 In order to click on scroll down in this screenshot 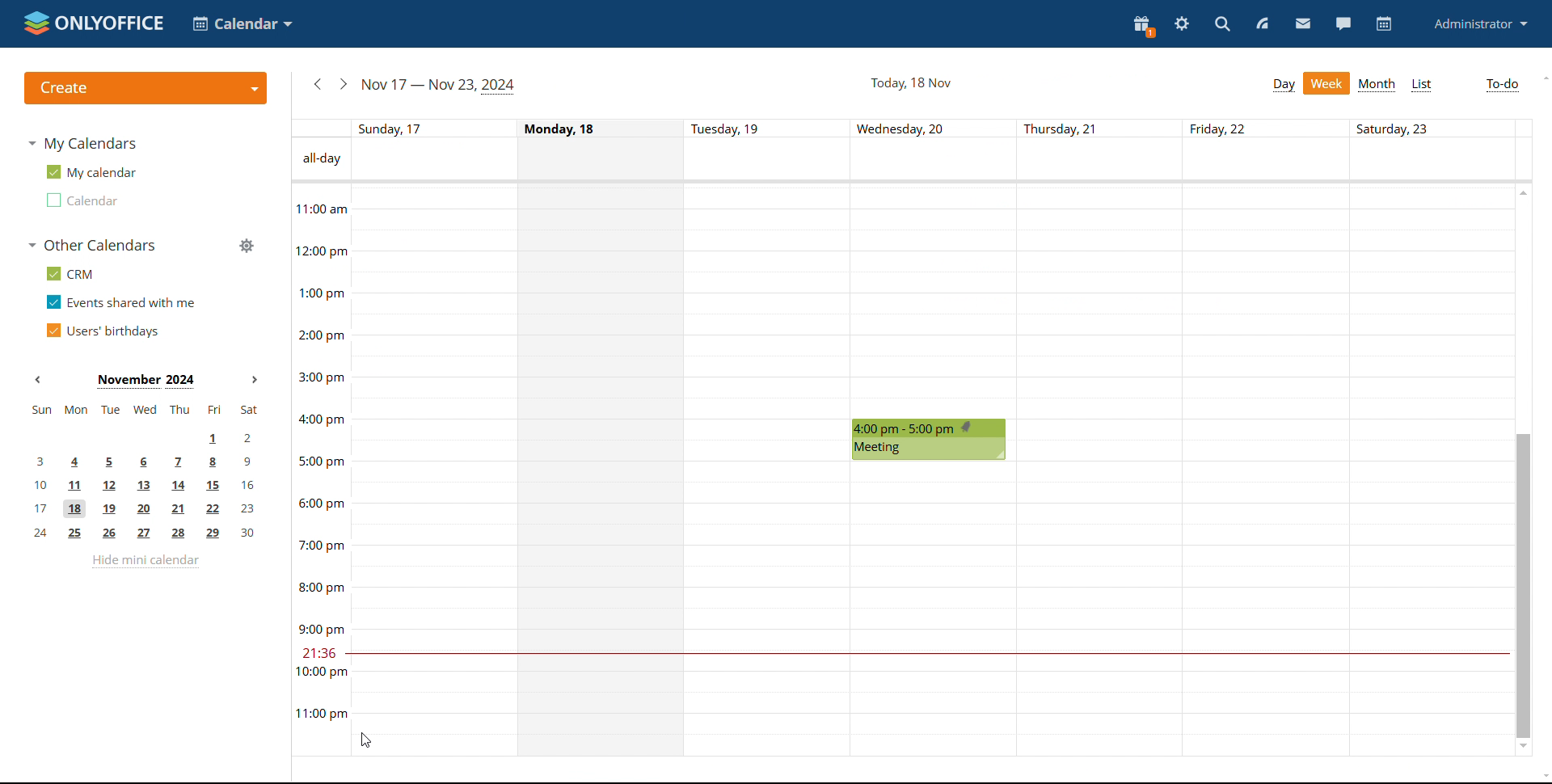, I will do `click(1542, 778)`.